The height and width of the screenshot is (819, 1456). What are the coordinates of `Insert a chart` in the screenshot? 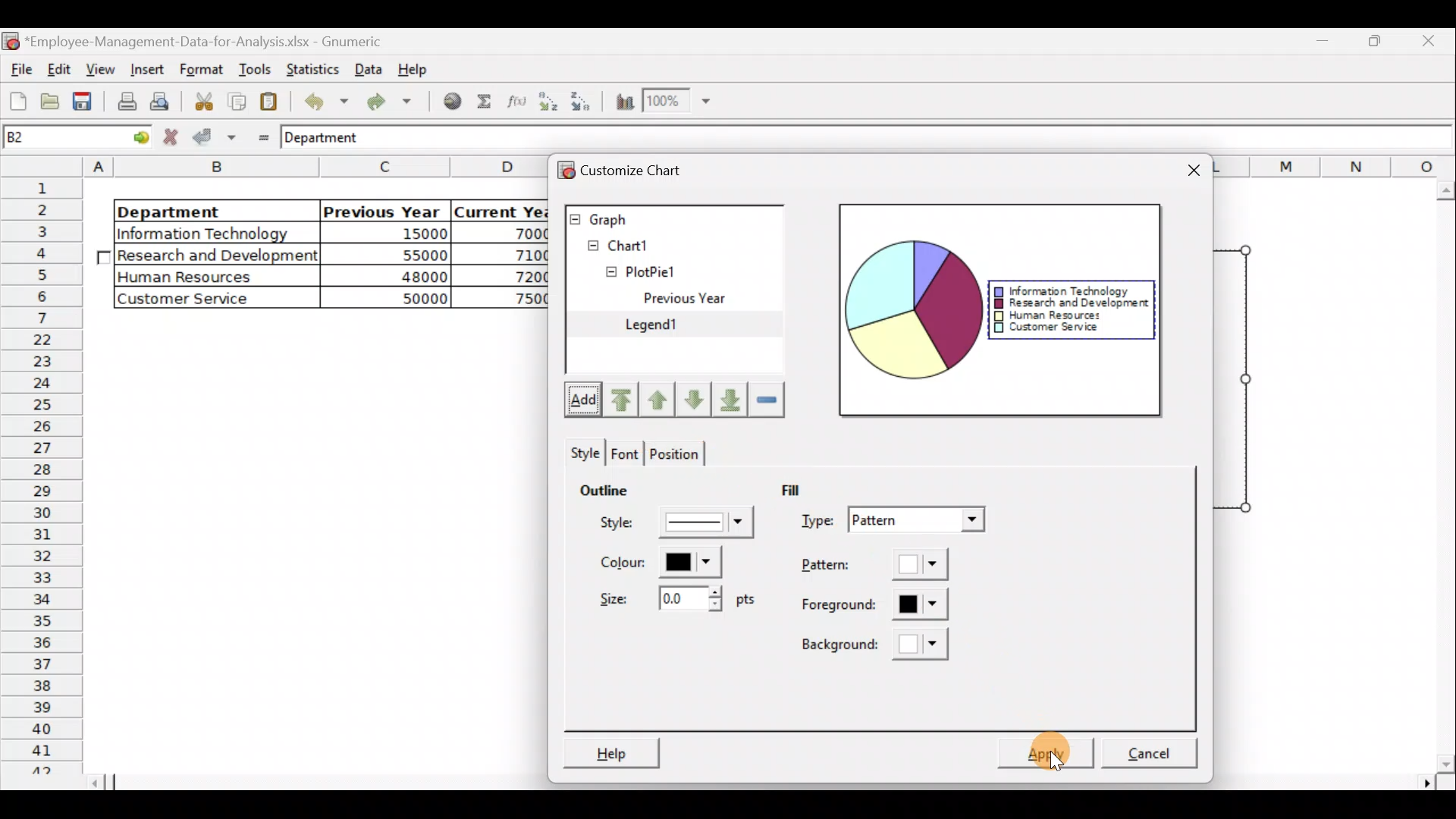 It's located at (623, 102).